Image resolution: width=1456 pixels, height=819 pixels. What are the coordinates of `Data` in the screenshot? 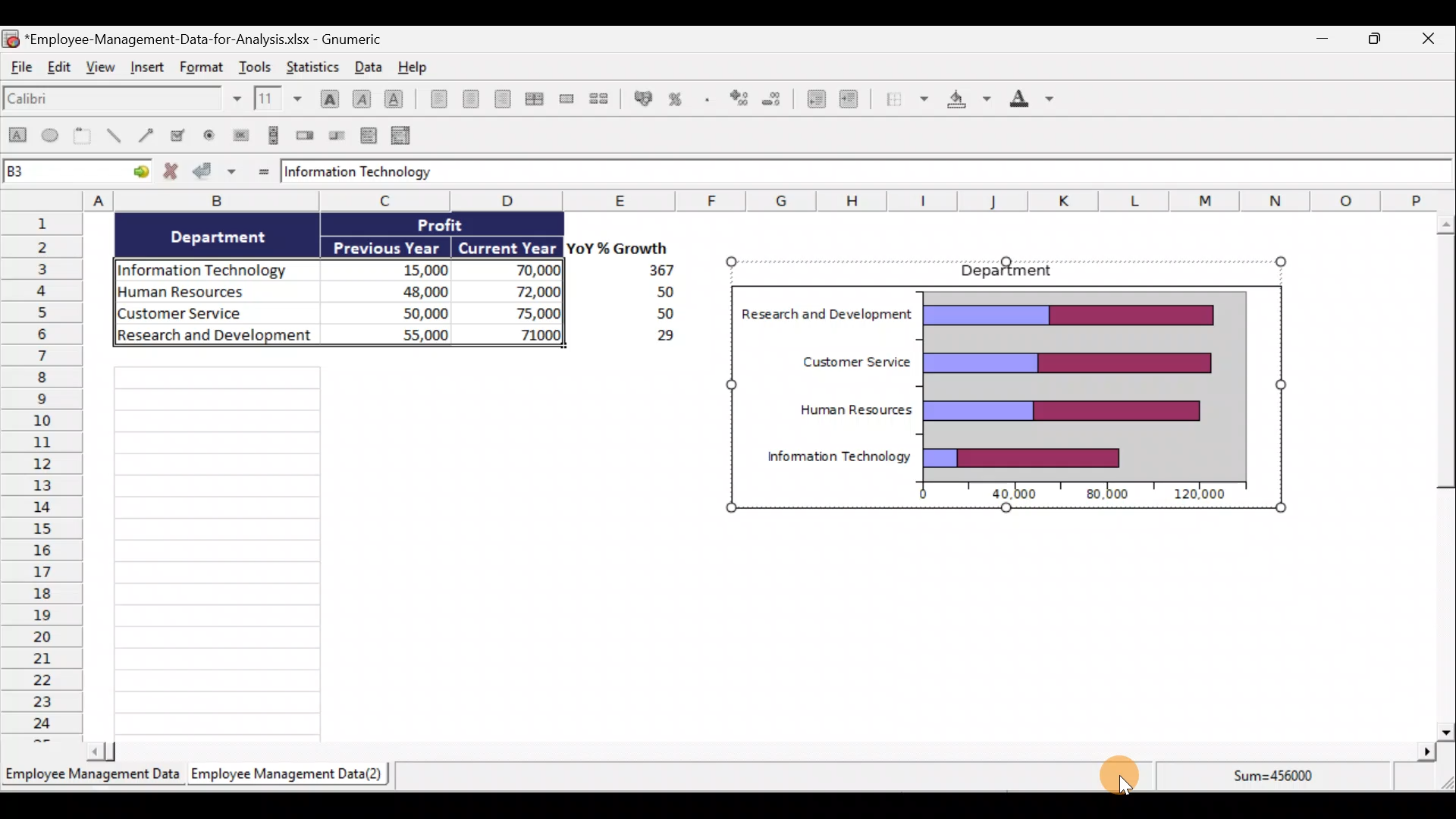 It's located at (367, 66).